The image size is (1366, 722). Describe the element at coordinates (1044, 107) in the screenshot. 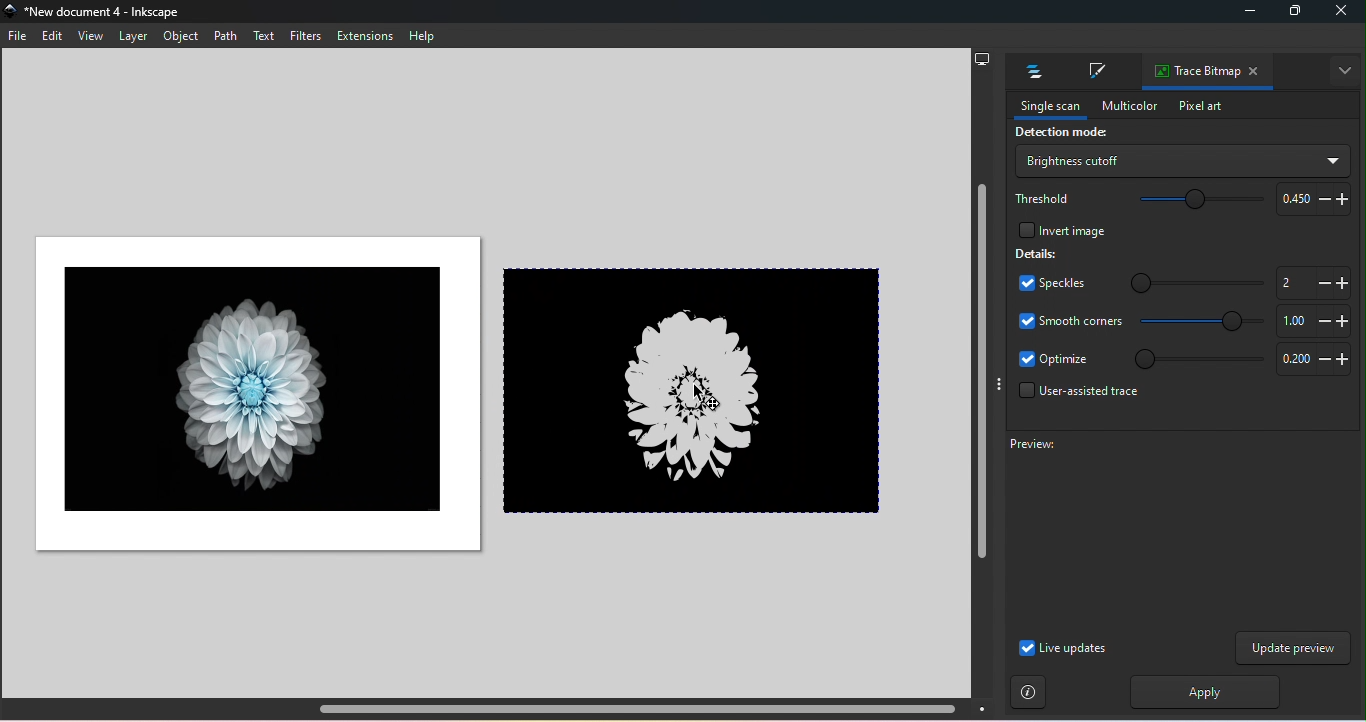

I see `Single scan` at that location.